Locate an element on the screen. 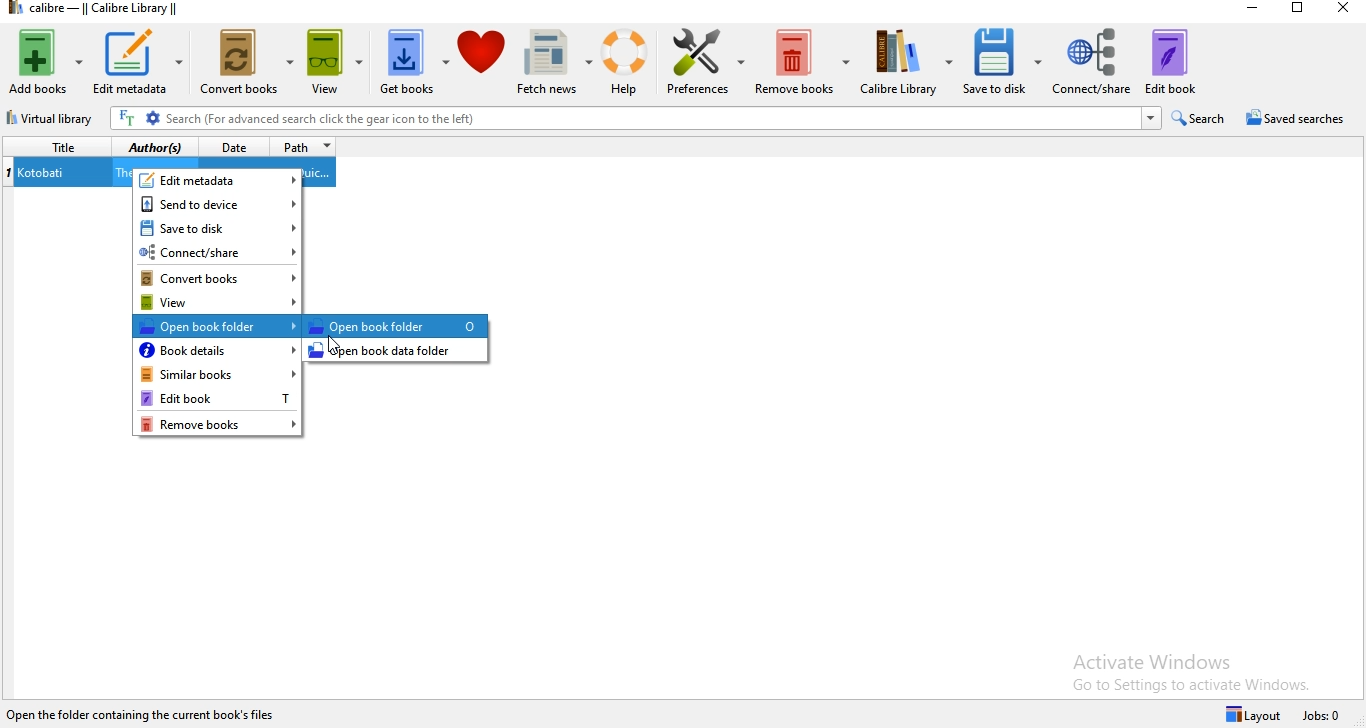 This screenshot has width=1366, height=728. minimise is located at coordinates (1254, 8).